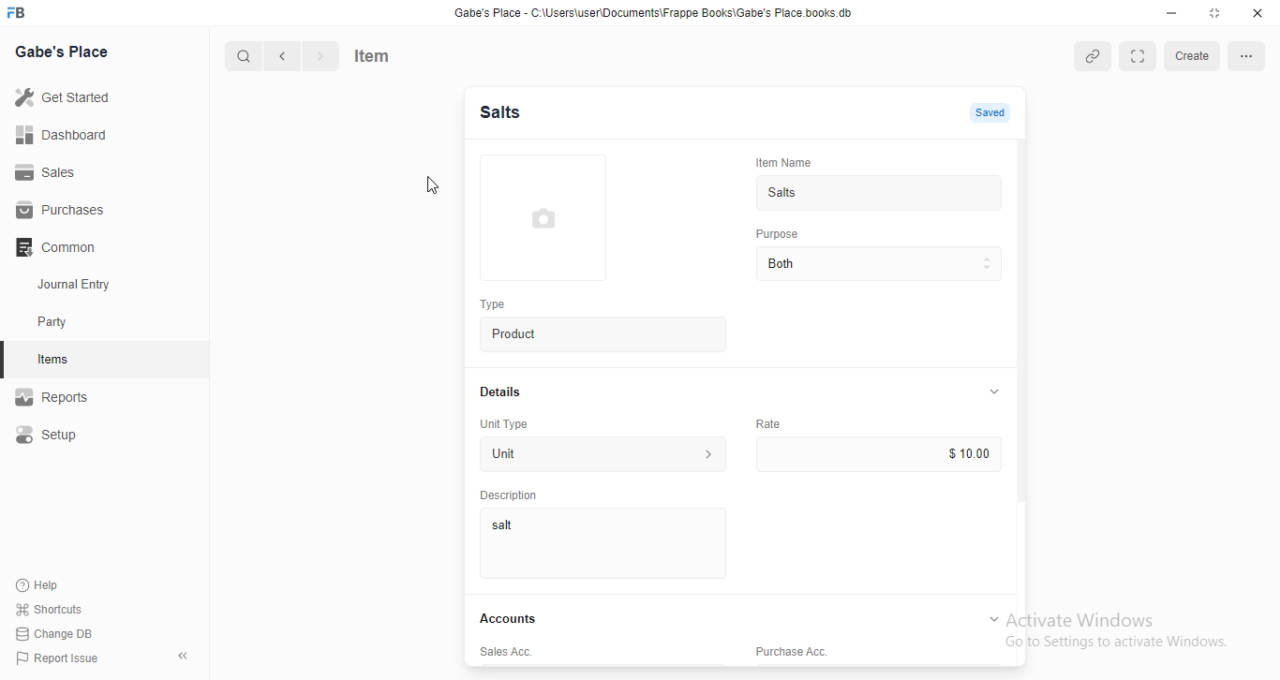  I want to click on Reports, so click(61, 396).